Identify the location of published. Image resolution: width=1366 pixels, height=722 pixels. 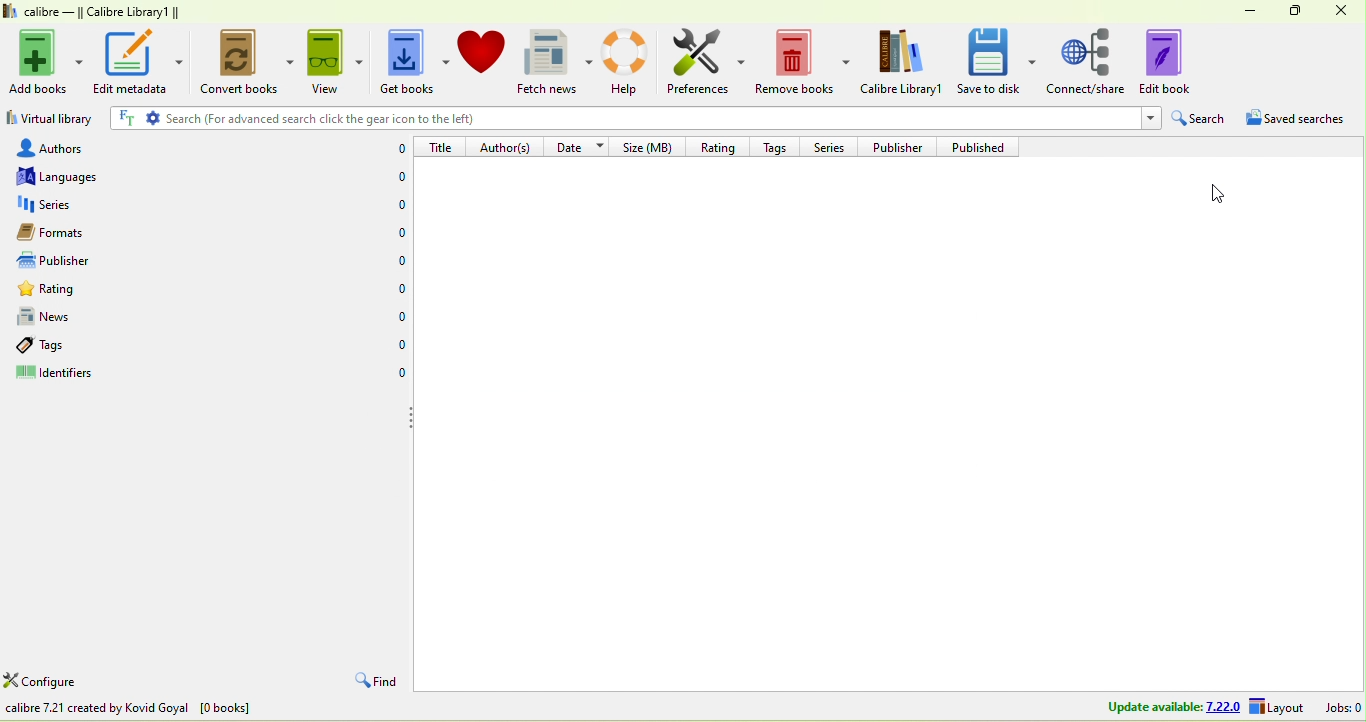
(985, 147).